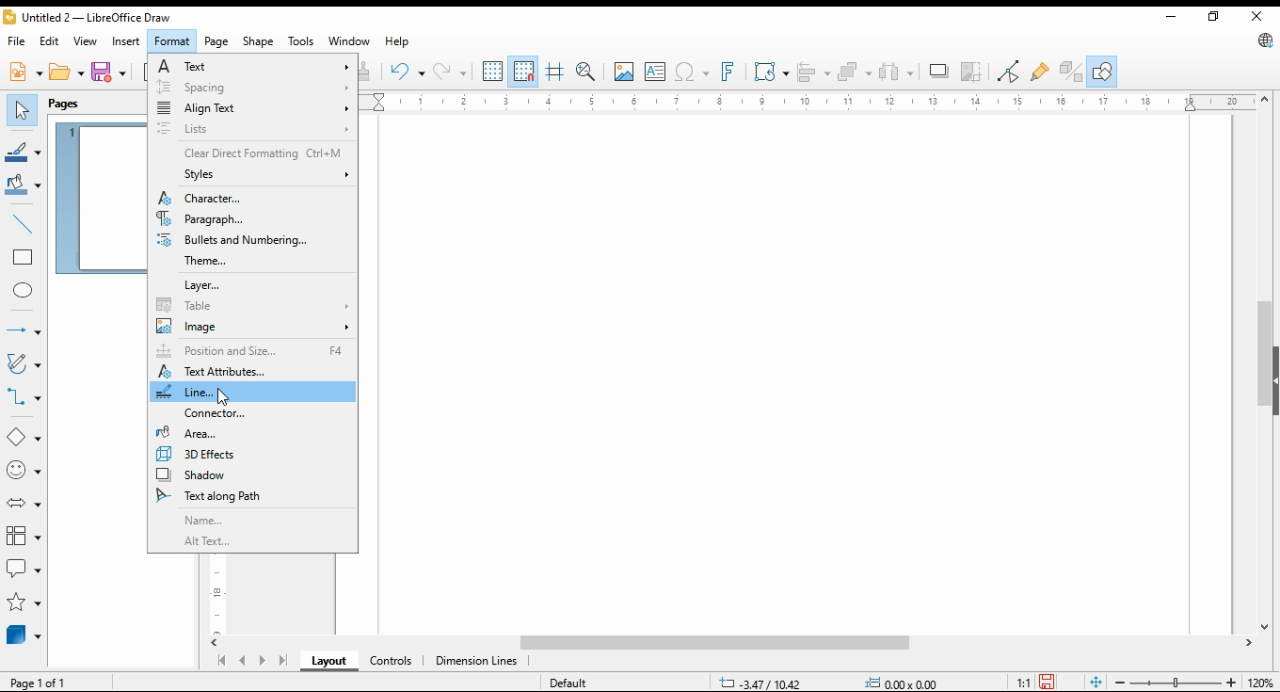 Image resolution: width=1280 pixels, height=692 pixels. I want to click on insert text box, so click(655, 71).